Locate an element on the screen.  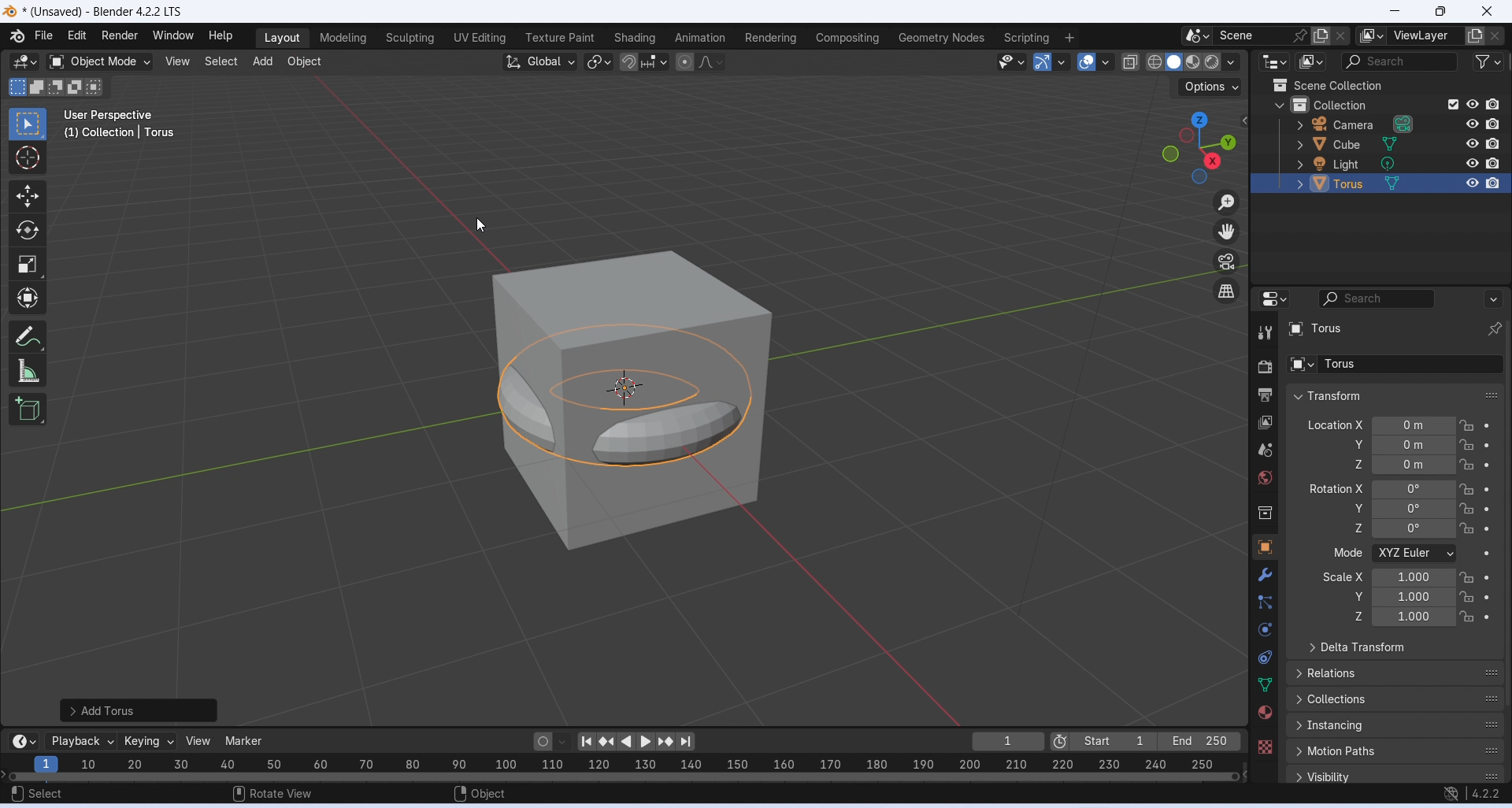
Rendering is located at coordinates (770, 38).